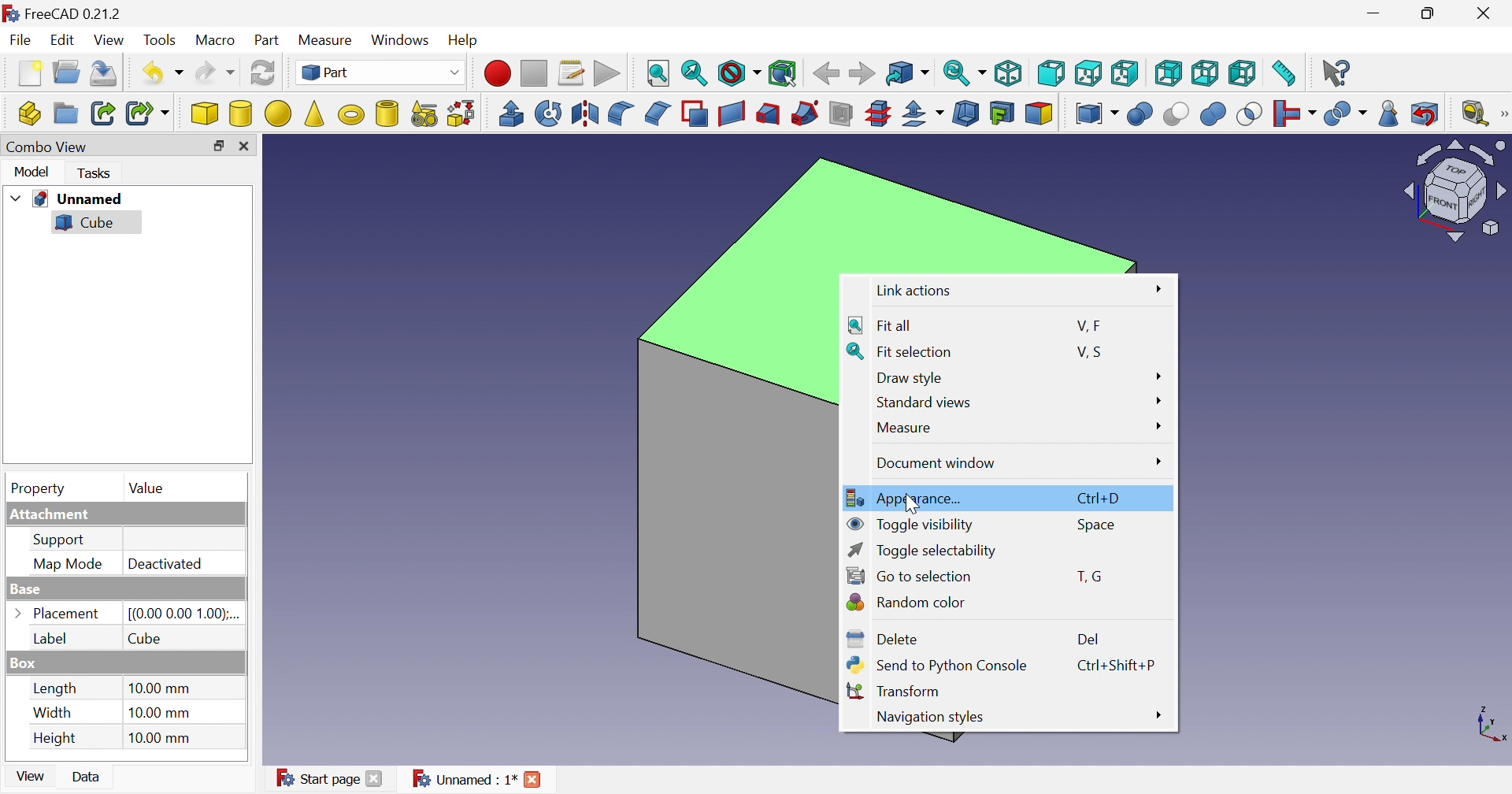 This screenshot has height=794, width=1512. Describe the element at coordinates (839, 113) in the screenshot. I see `Section` at that location.